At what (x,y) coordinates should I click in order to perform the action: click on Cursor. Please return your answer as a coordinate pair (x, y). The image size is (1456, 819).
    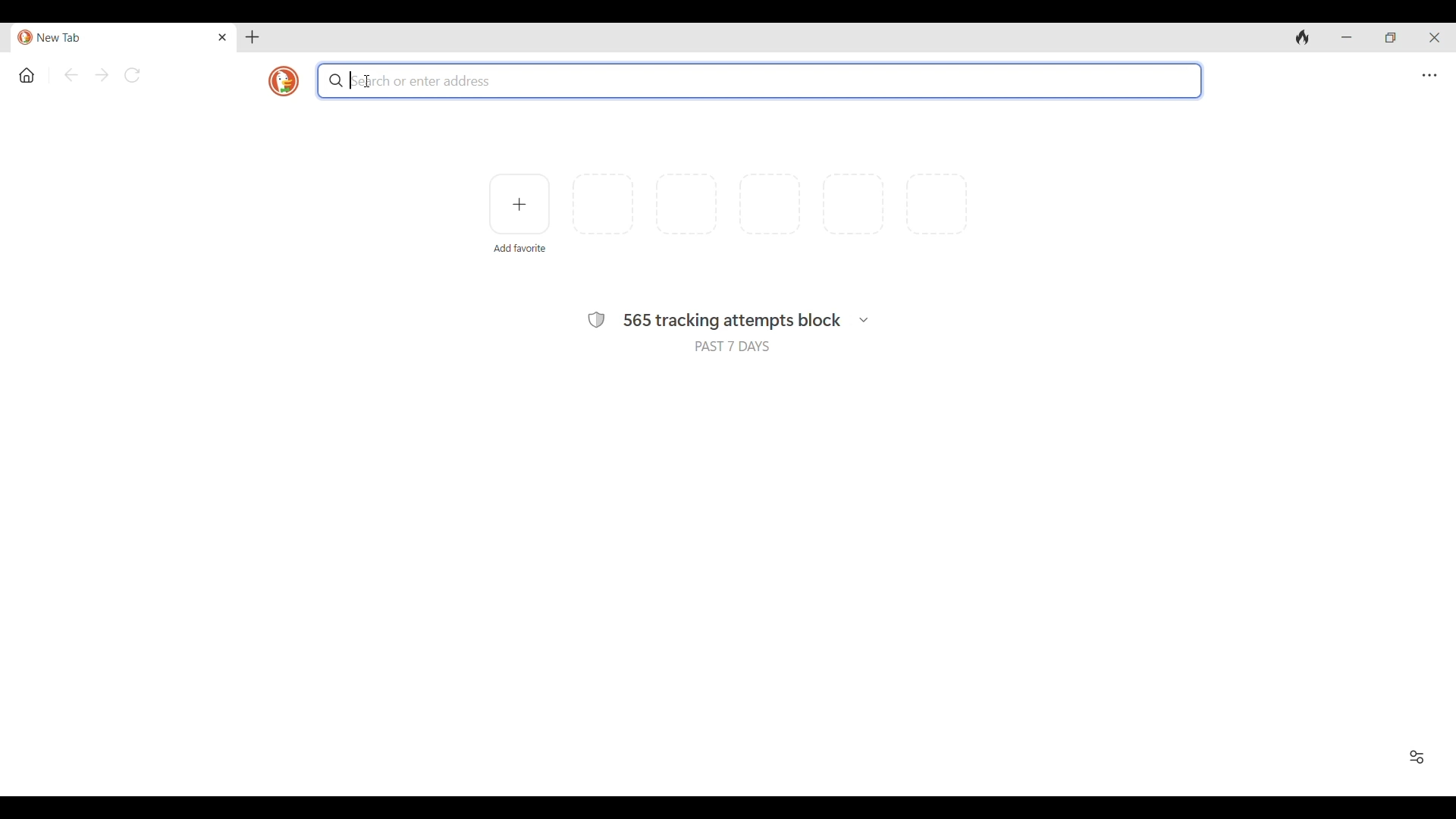
    Looking at the image, I should click on (366, 81).